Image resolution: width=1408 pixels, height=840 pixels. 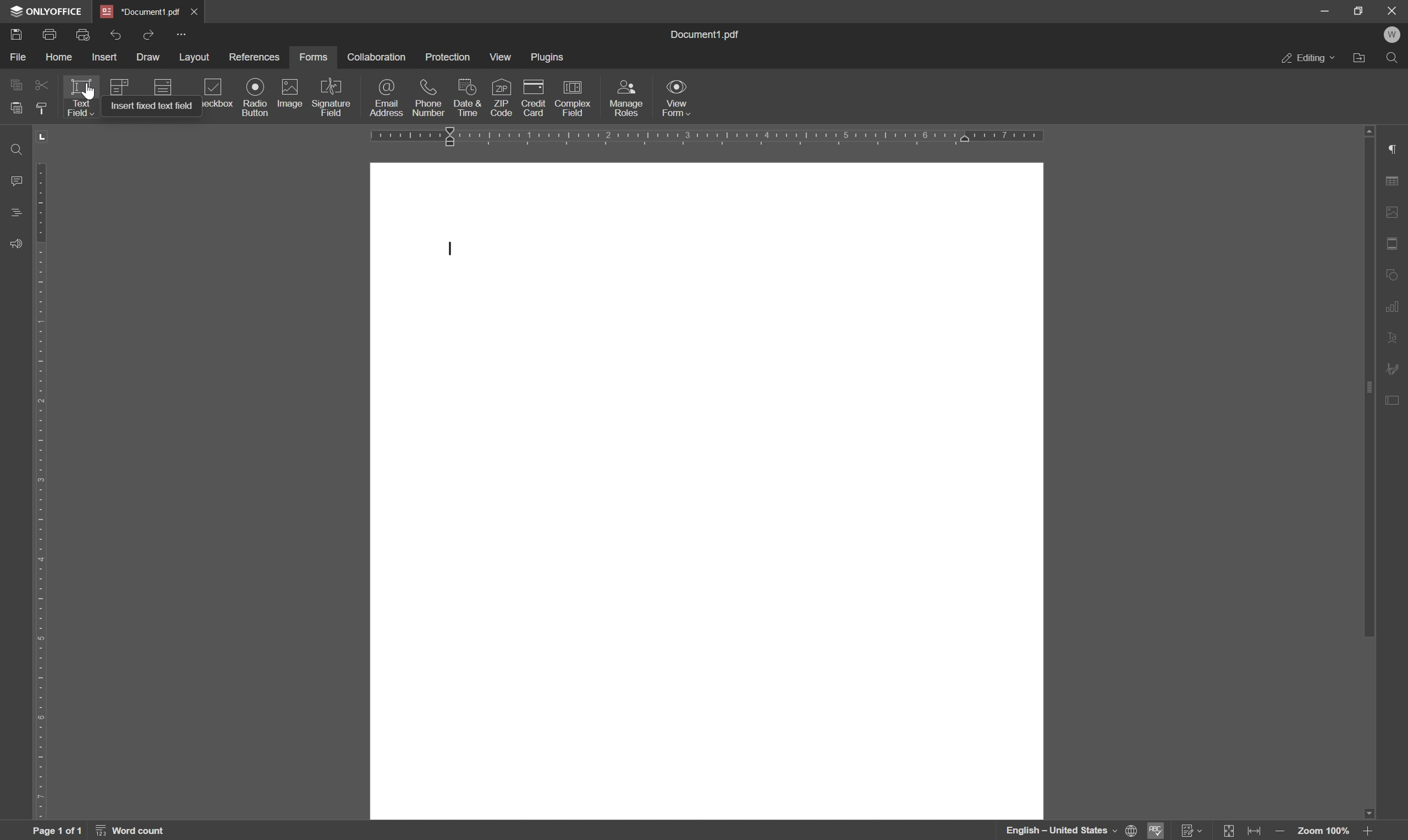 I want to click on restore down, so click(x=1358, y=10).